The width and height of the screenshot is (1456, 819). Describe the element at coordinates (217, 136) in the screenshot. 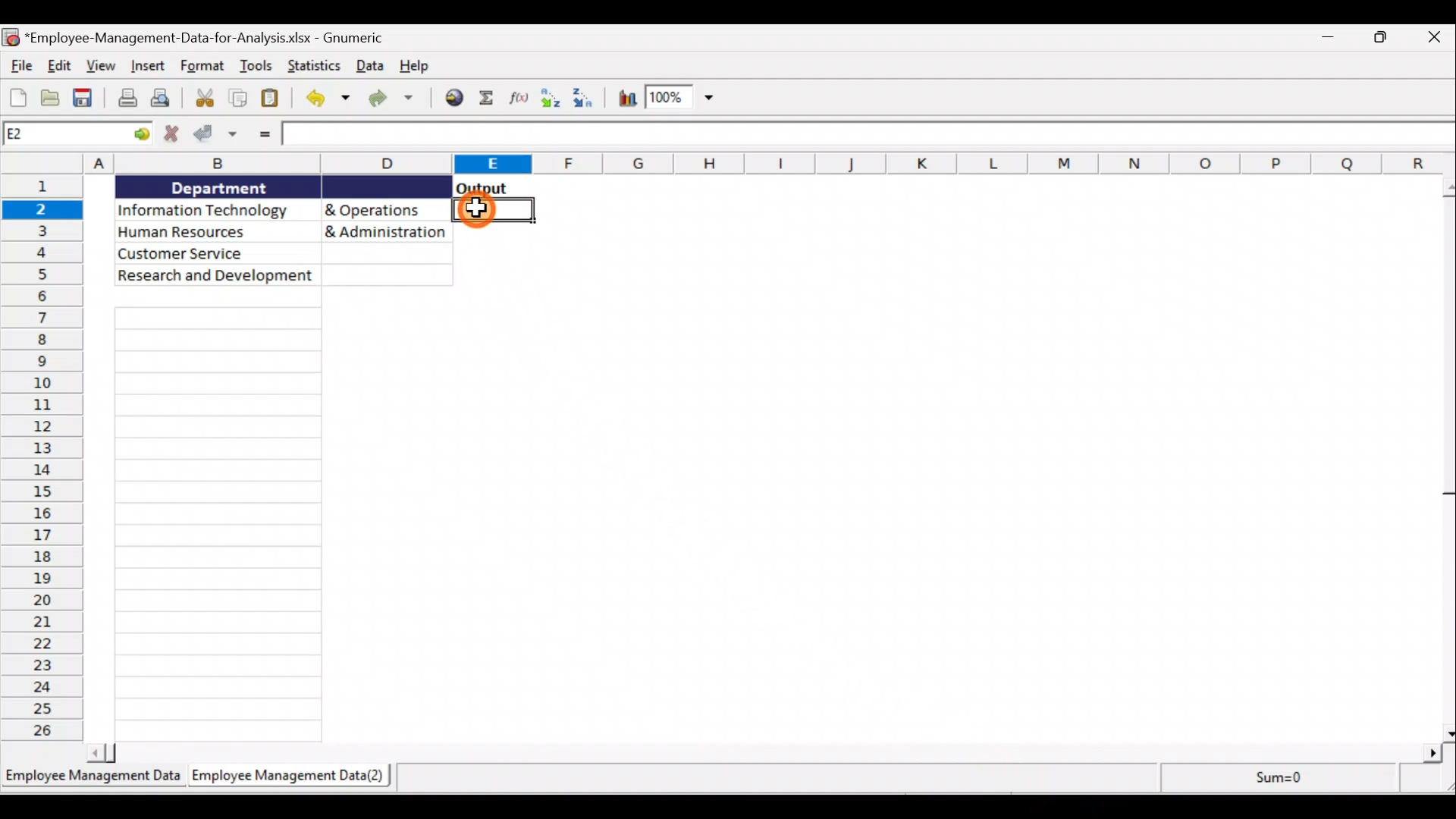

I see `Accept change` at that location.